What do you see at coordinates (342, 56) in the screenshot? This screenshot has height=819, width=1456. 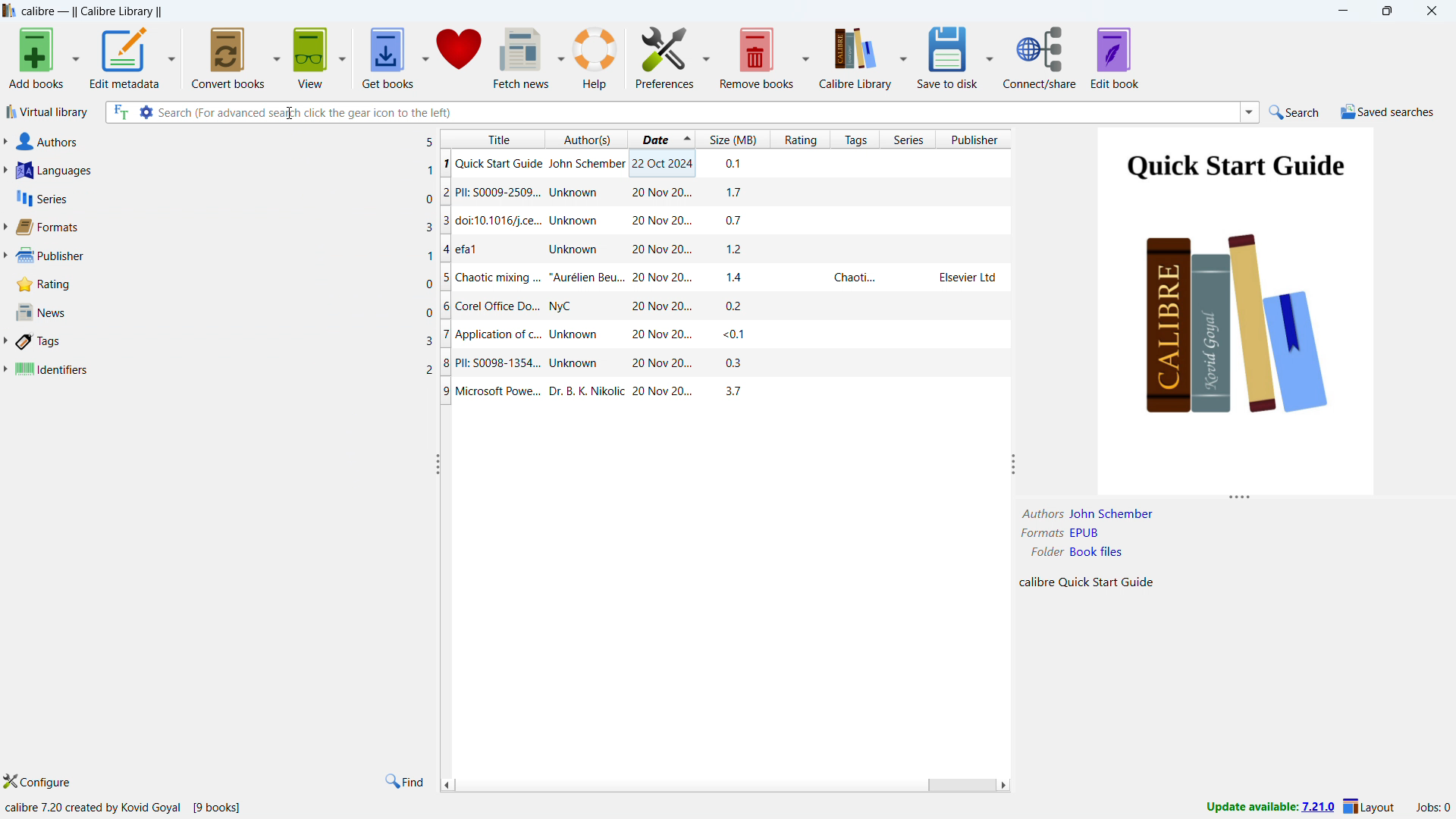 I see `view options` at bounding box center [342, 56].